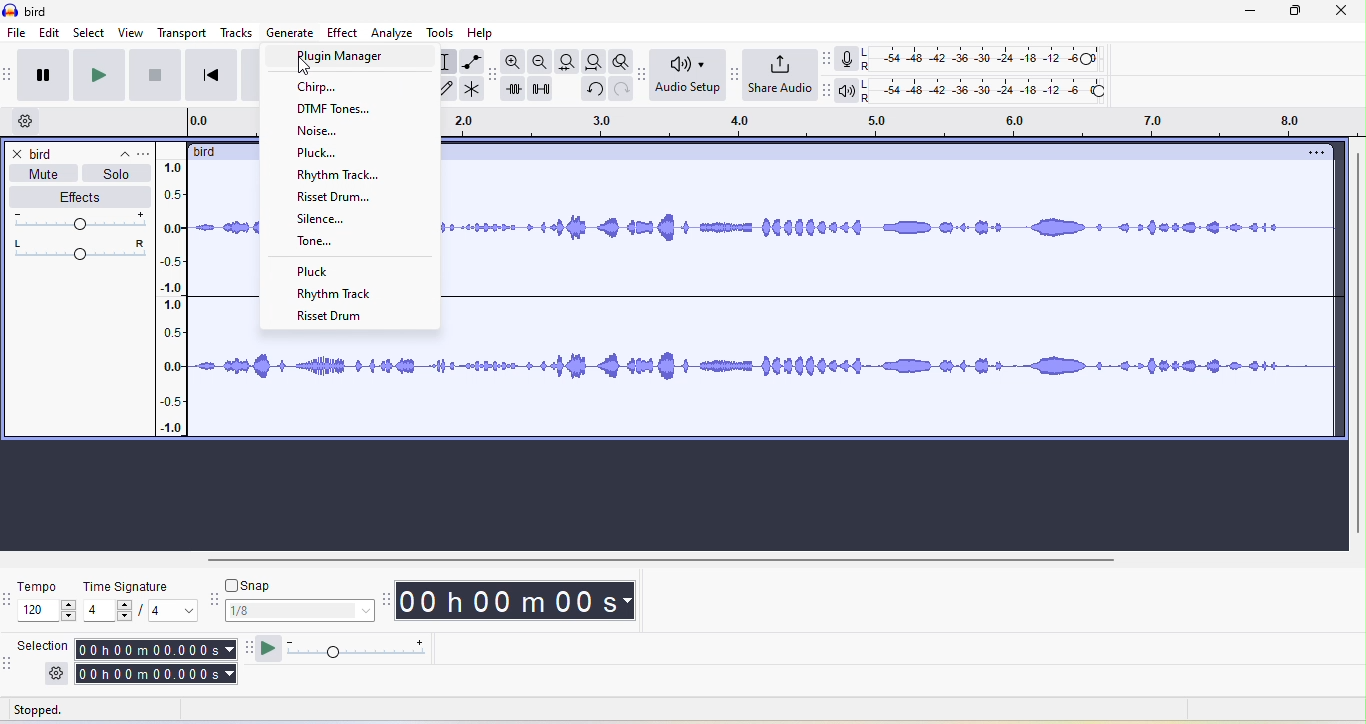 The image size is (1366, 724). What do you see at coordinates (356, 650) in the screenshot?
I see `play at speed` at bounding box center [356, 650].